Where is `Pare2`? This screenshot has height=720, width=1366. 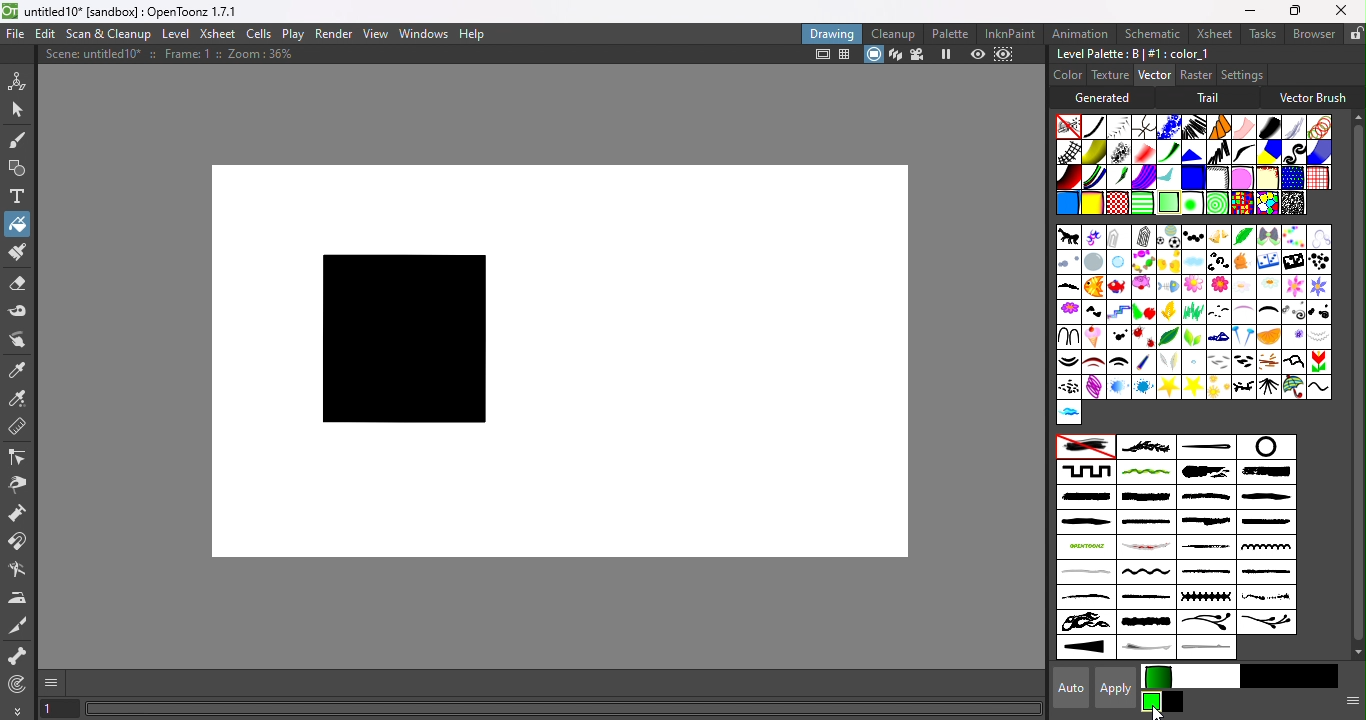 Pare2 is located at coordinates (1117, 361).